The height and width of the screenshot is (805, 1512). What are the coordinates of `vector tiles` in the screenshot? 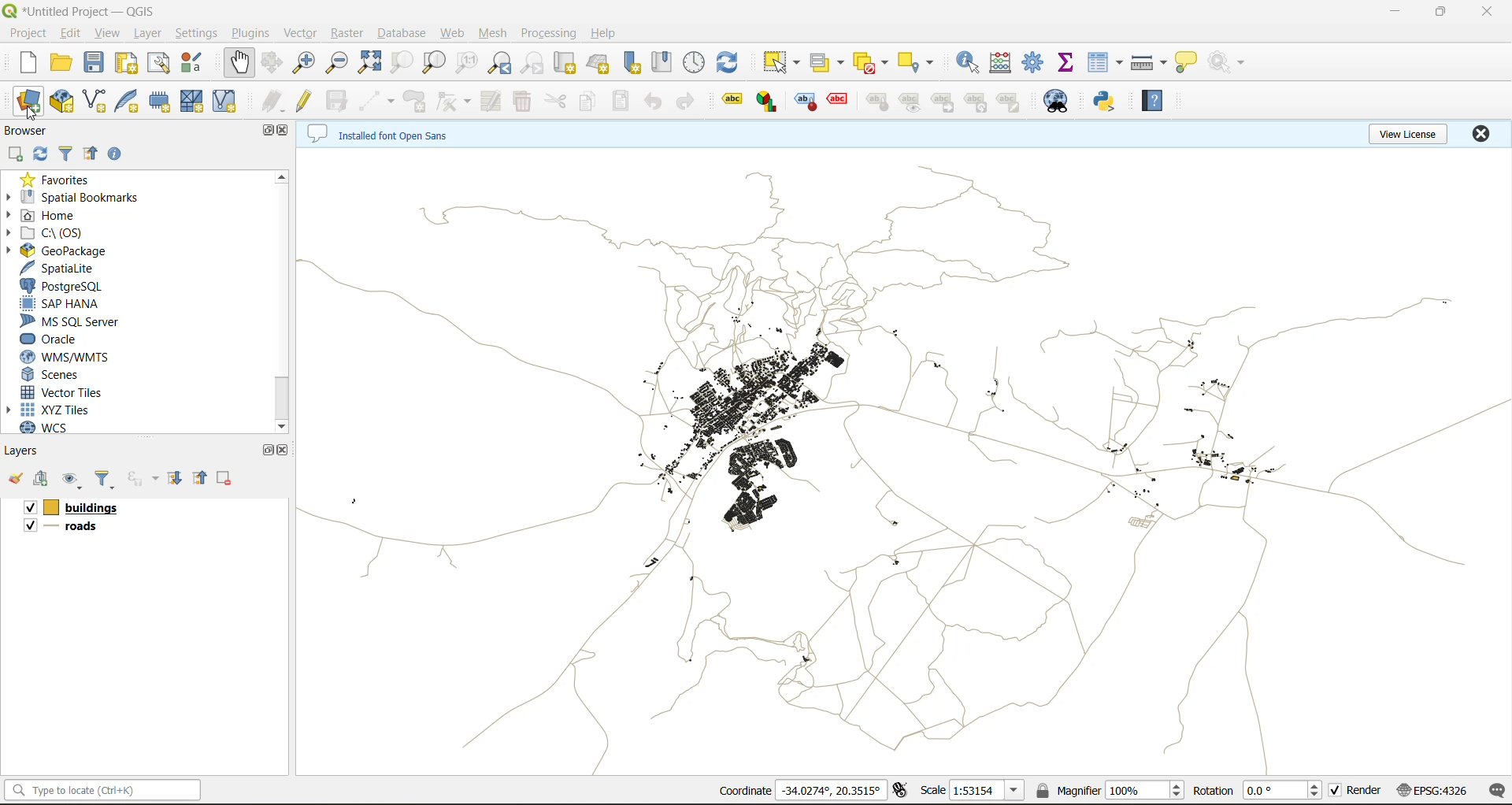 It's located at (65, 391).